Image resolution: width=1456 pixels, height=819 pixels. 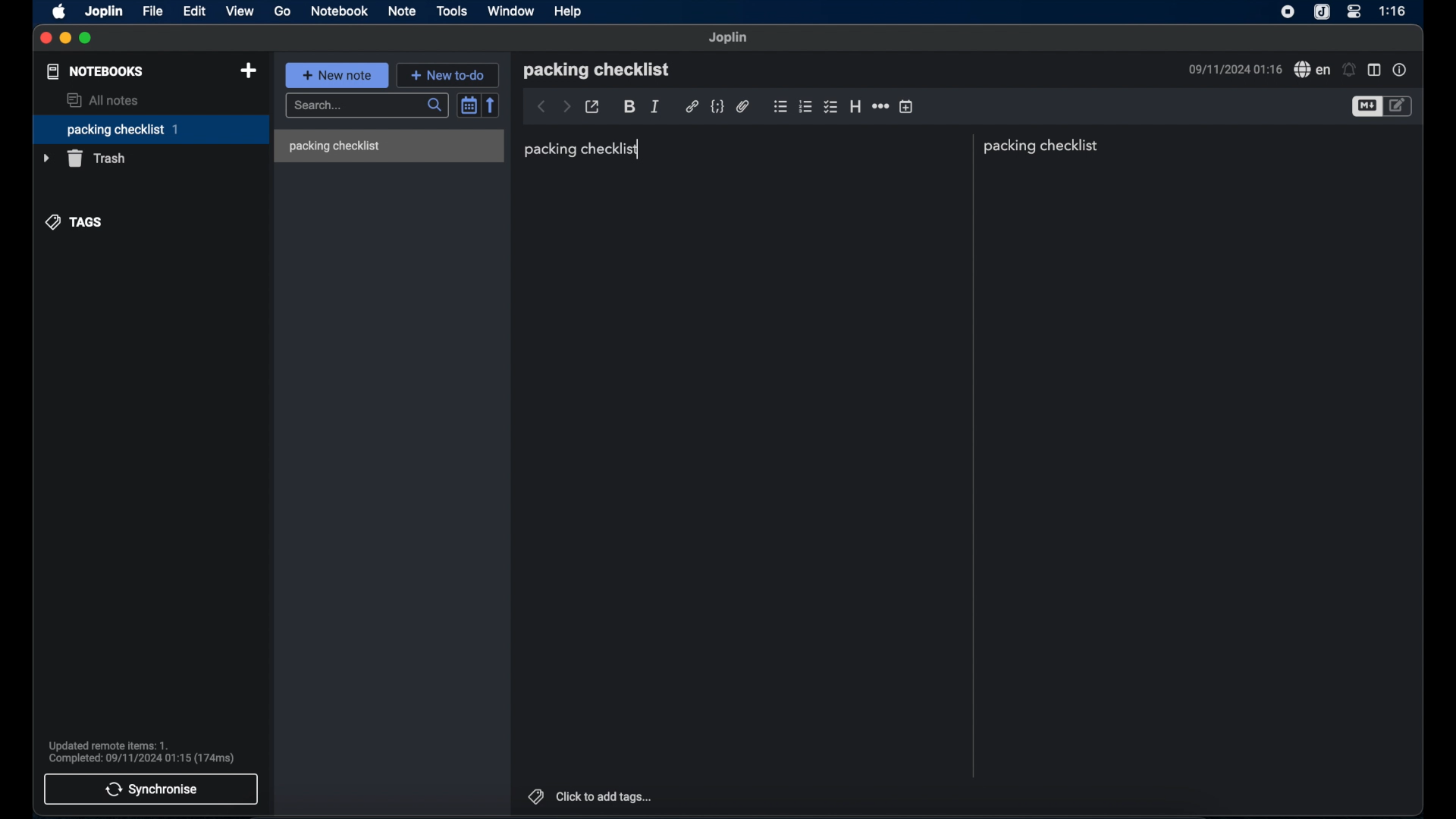 What do you see at coordinates (248, 71) in the screenshot?
I see `new notebook` at bounding box center [248, 71].